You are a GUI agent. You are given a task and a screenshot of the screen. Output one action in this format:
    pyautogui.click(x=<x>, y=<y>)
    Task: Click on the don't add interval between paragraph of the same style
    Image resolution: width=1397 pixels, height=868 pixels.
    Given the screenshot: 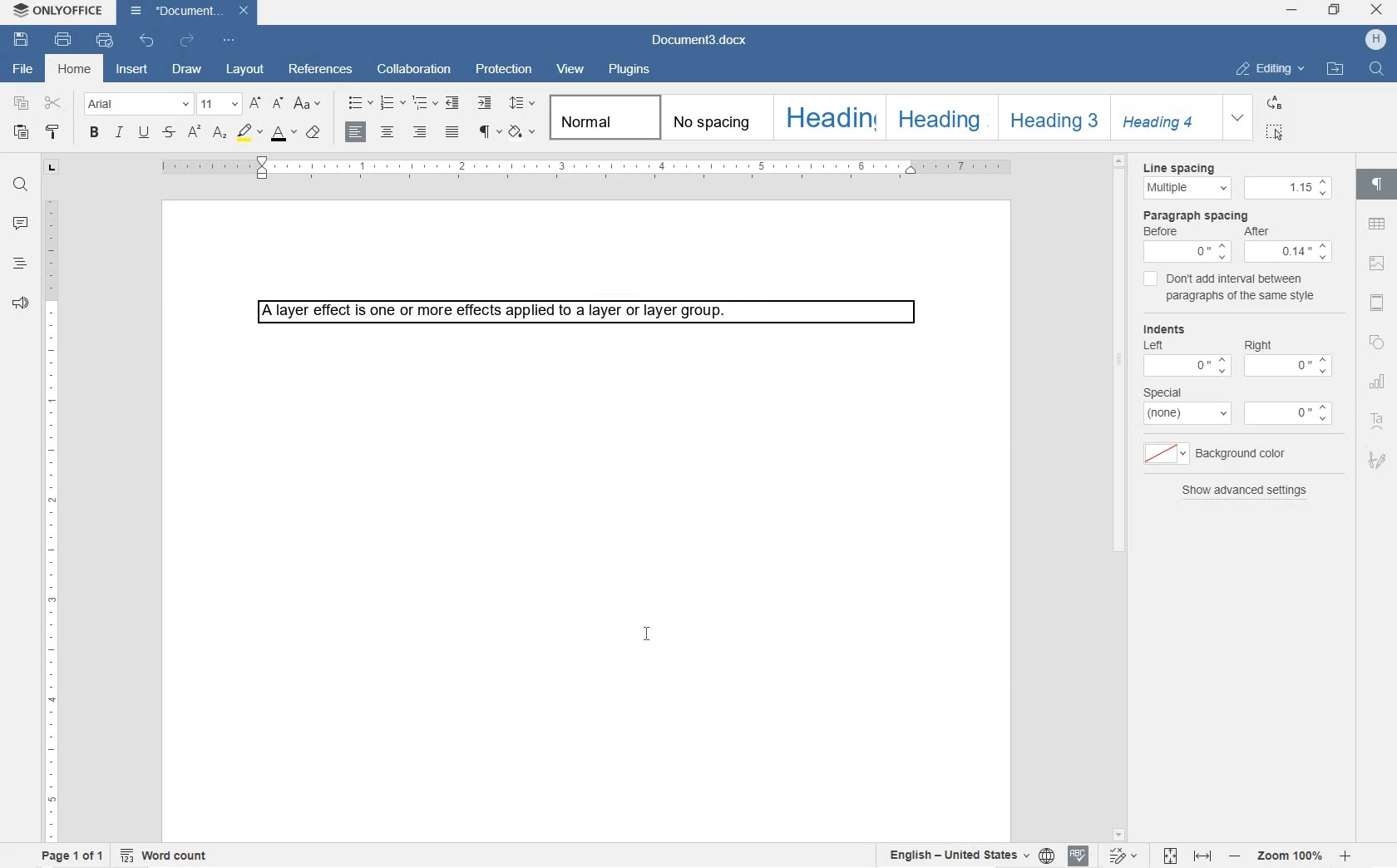 What is the action you would take?
    pyautogui.click(x=1229, y=291)
    